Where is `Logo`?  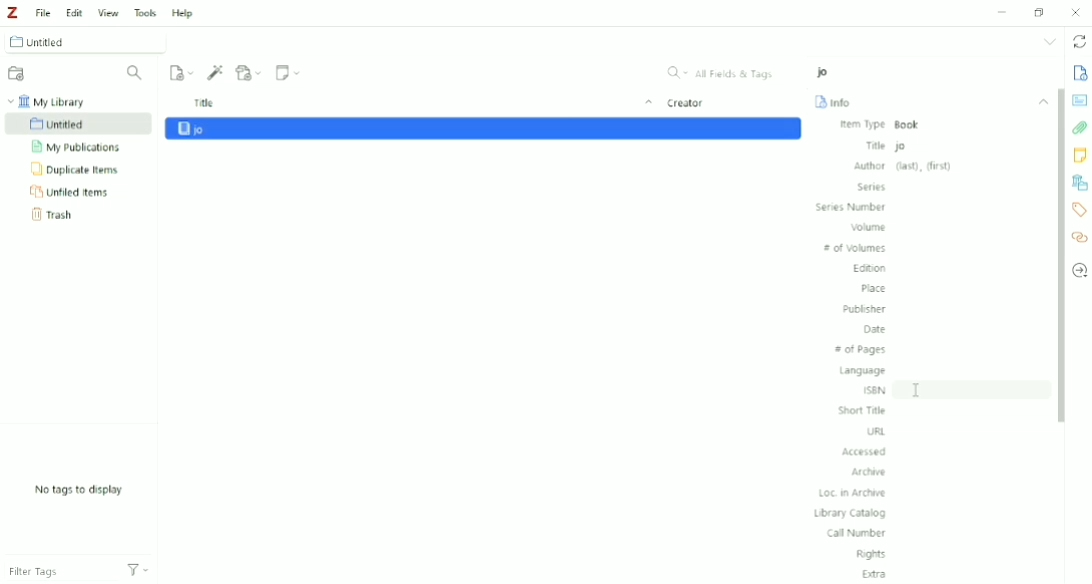
Logo is located at coordinates (12, 12).